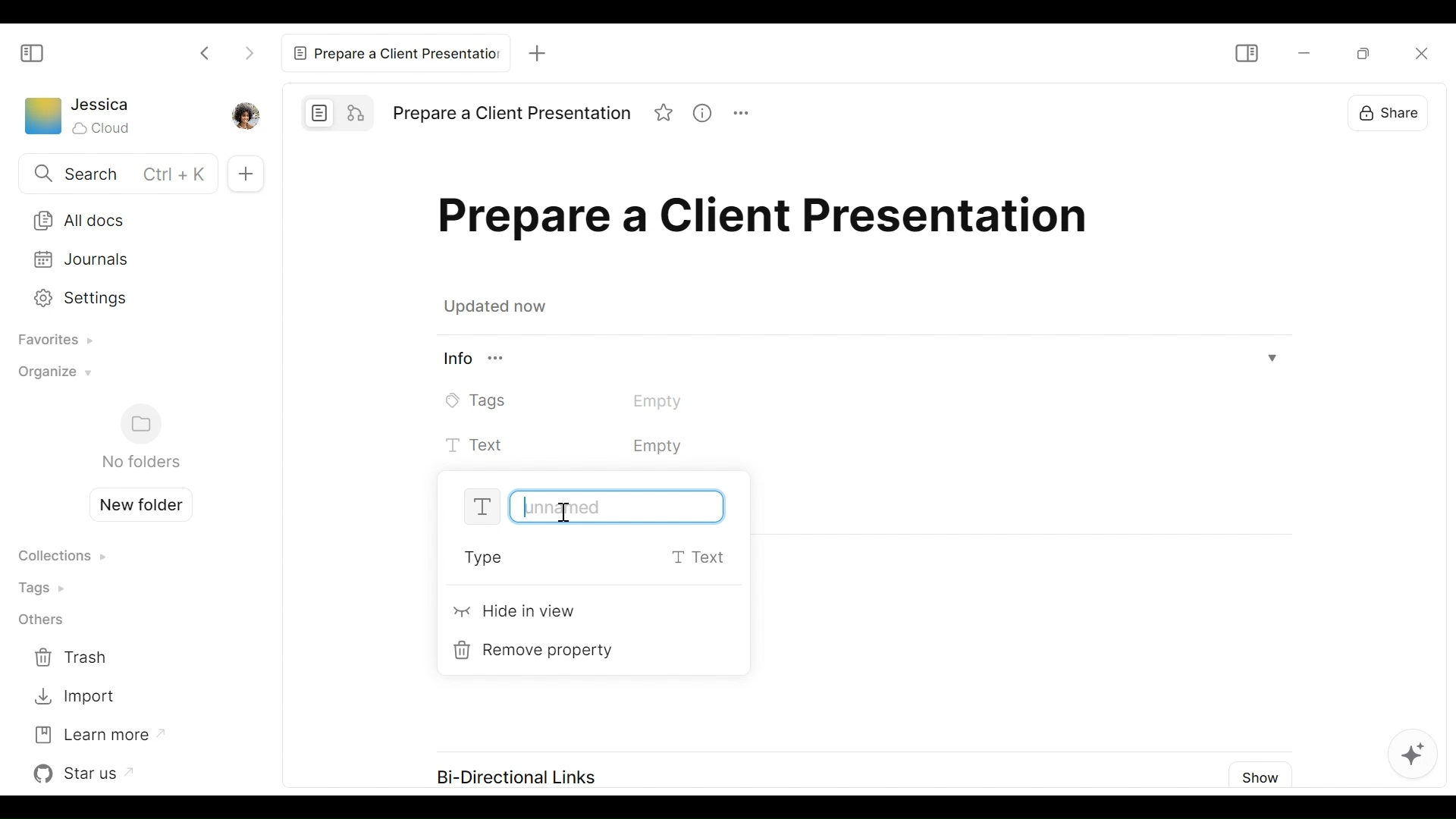 The image size is (1456, 819). I want to click on Journals, so click(124, 301).